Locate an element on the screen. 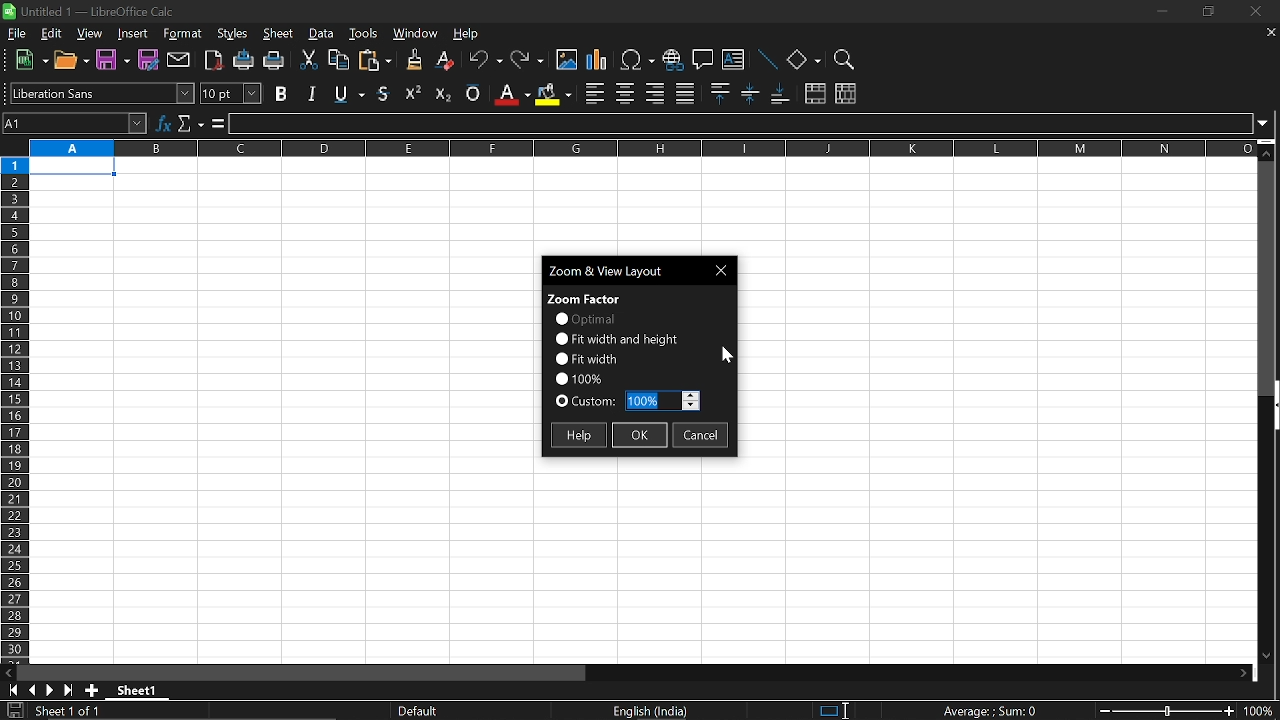 Image resolution: width=1280 pixels, height=720 pixels. align bottom is located at coordinates (782, 95).